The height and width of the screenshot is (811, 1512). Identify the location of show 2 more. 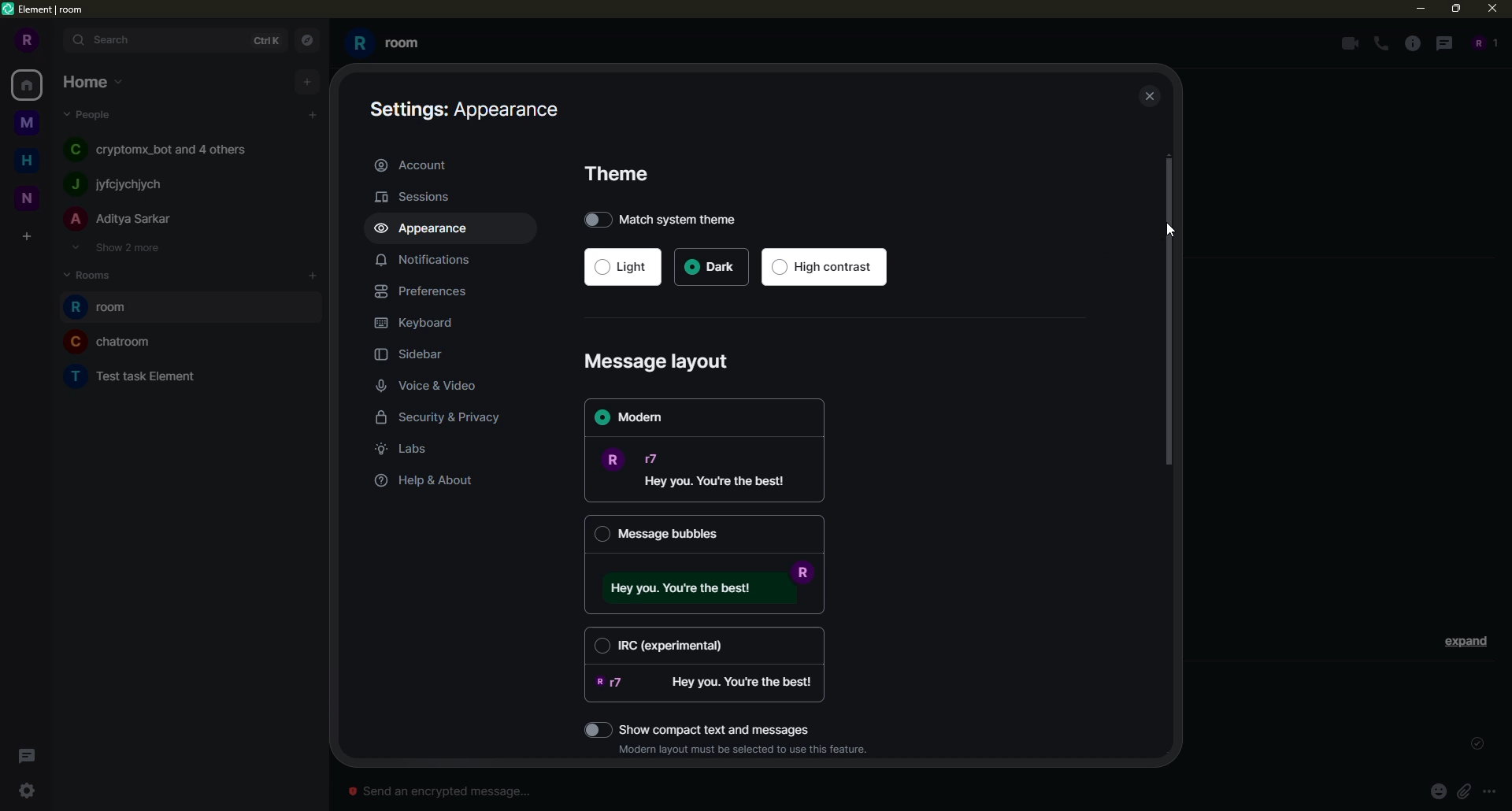
(115, 247).